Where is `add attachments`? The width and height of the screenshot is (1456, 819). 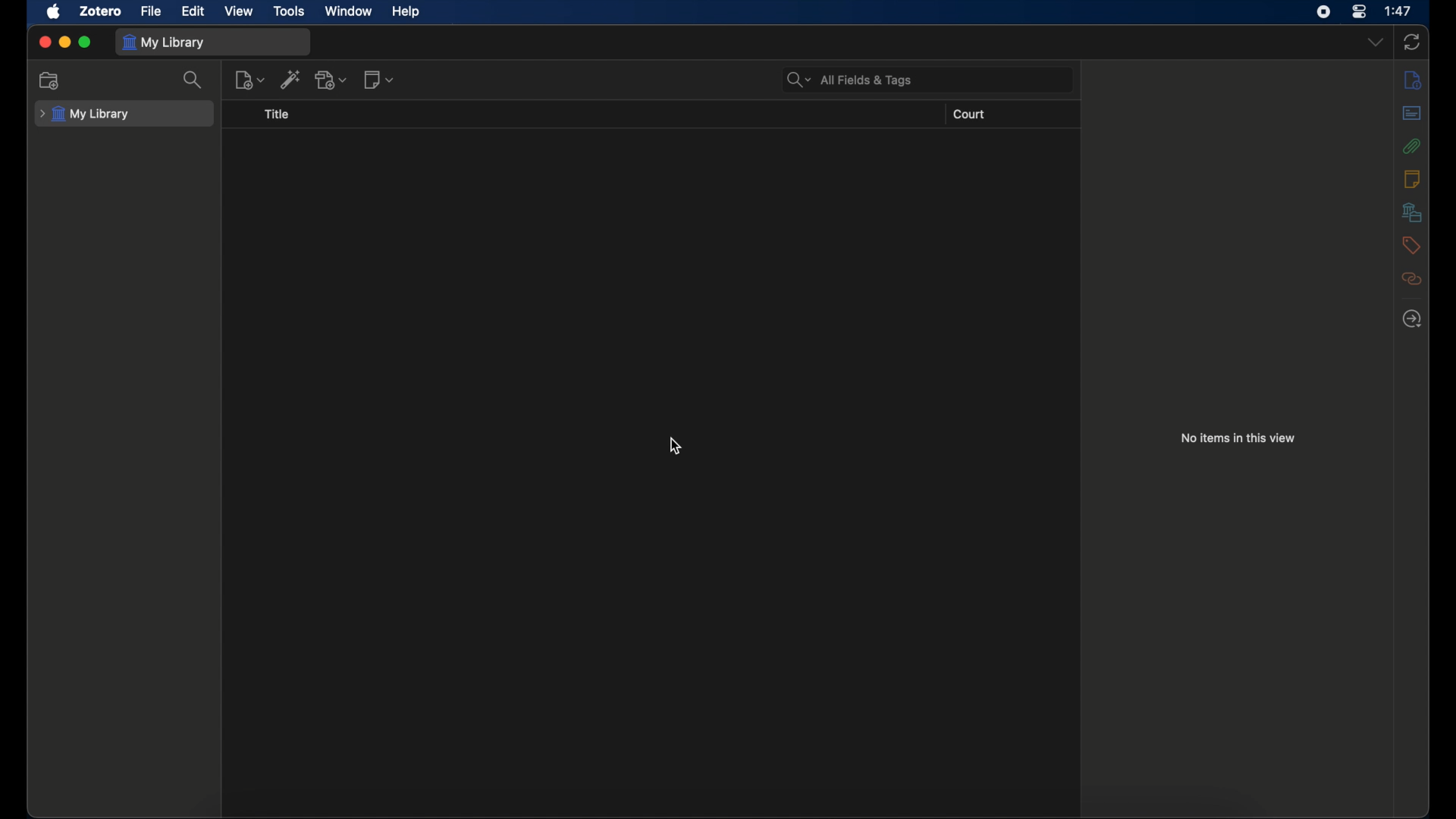 add attachments is located at coordinates (332, 80).